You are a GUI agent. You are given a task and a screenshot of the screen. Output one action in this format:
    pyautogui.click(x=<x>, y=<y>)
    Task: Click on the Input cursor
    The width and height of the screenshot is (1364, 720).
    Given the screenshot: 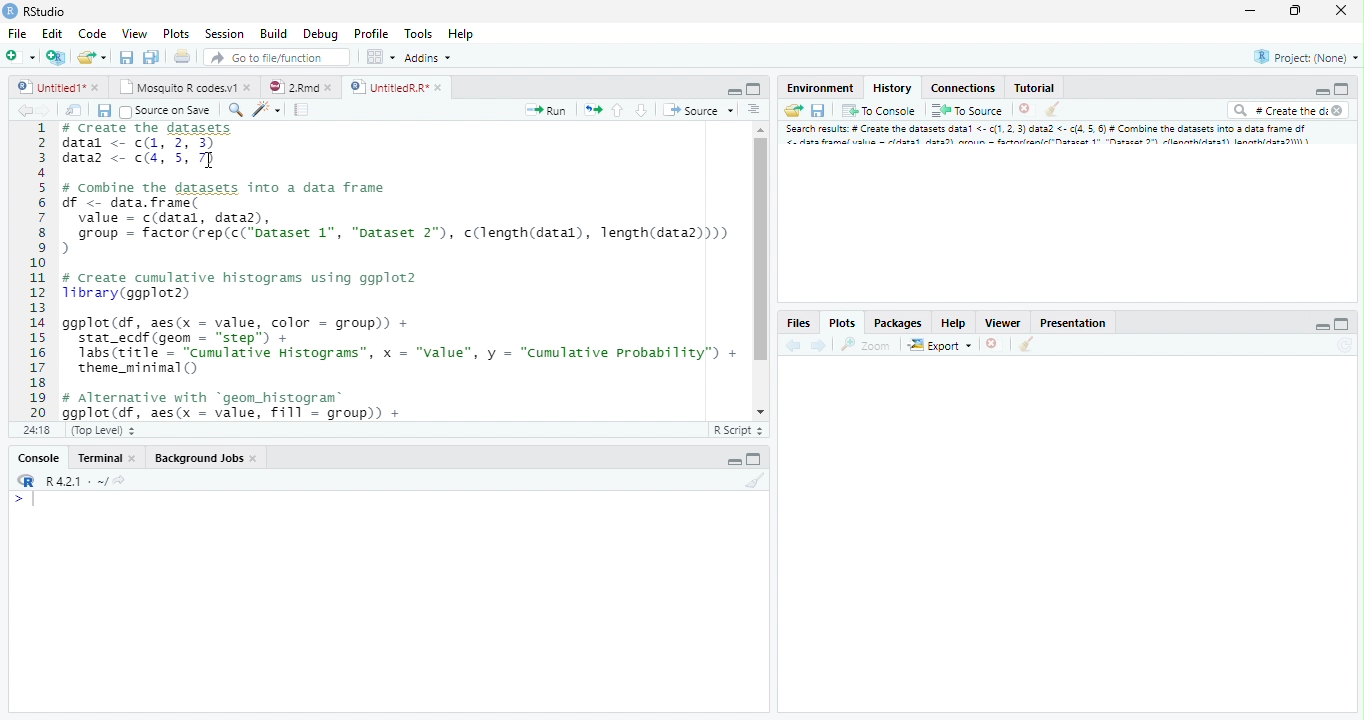 What is the action you would take?
    pyautogui.click(x=30, y=500)
    